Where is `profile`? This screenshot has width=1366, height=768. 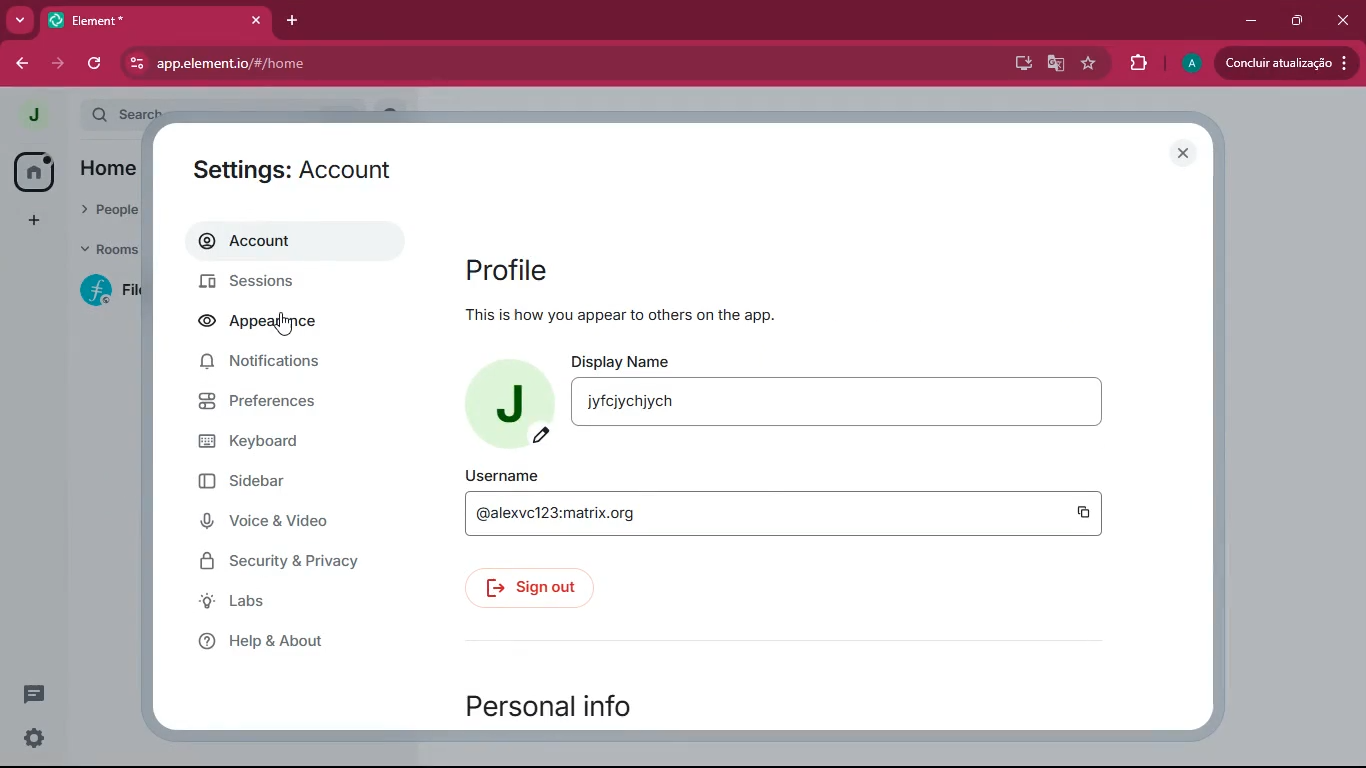
profile is located at coordinates (579, 270).